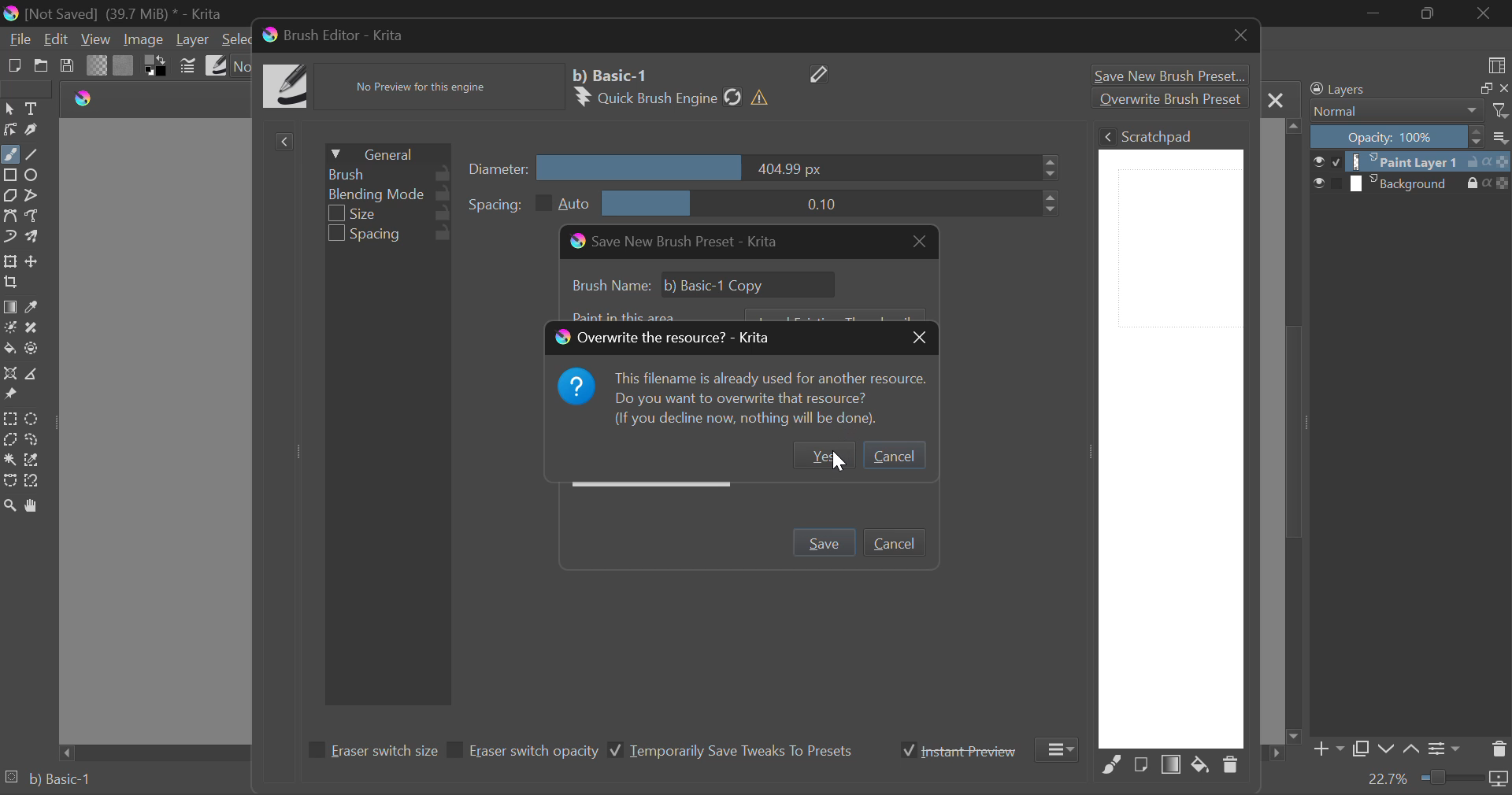  What do you see at coordinates (387, 152) in the screenshot?
I see `General` at bounding box center [387, 152].